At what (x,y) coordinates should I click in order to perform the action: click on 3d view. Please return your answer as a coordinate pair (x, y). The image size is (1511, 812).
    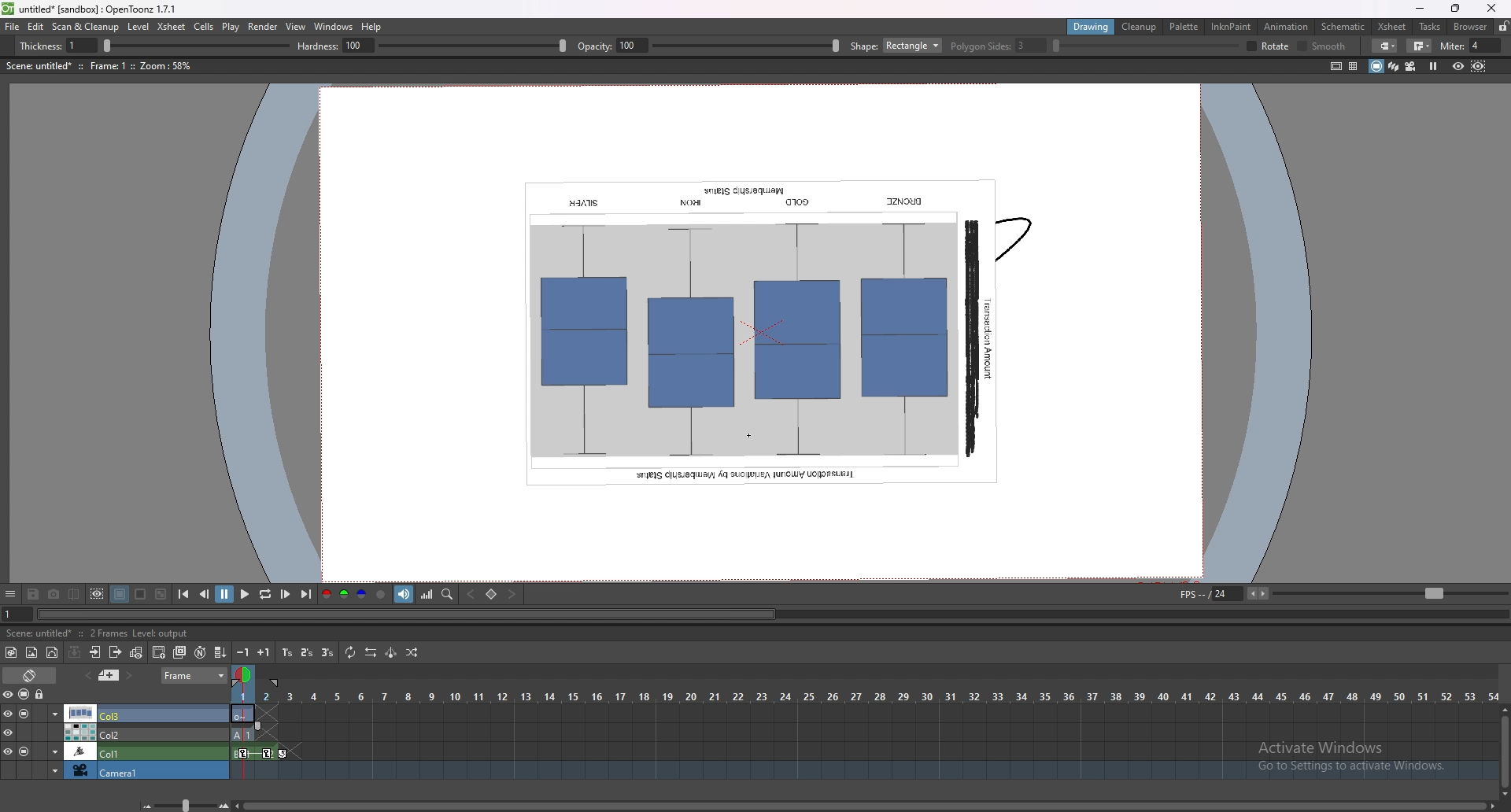
    Looking at the image, I should click on (1395, 65).